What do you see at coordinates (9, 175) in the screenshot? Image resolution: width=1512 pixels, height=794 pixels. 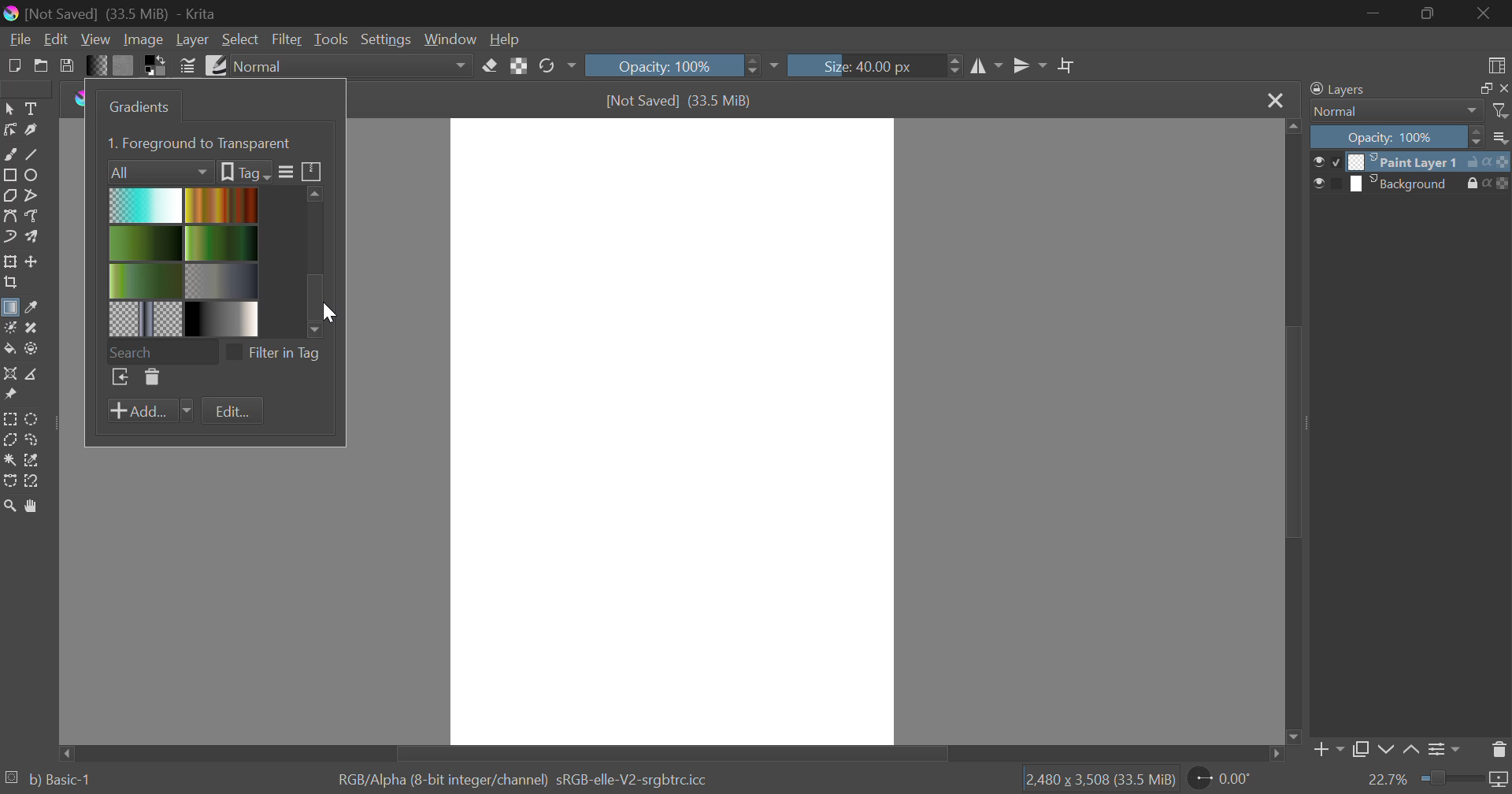 I see `Rectangle` at bounding box center [9, 175].